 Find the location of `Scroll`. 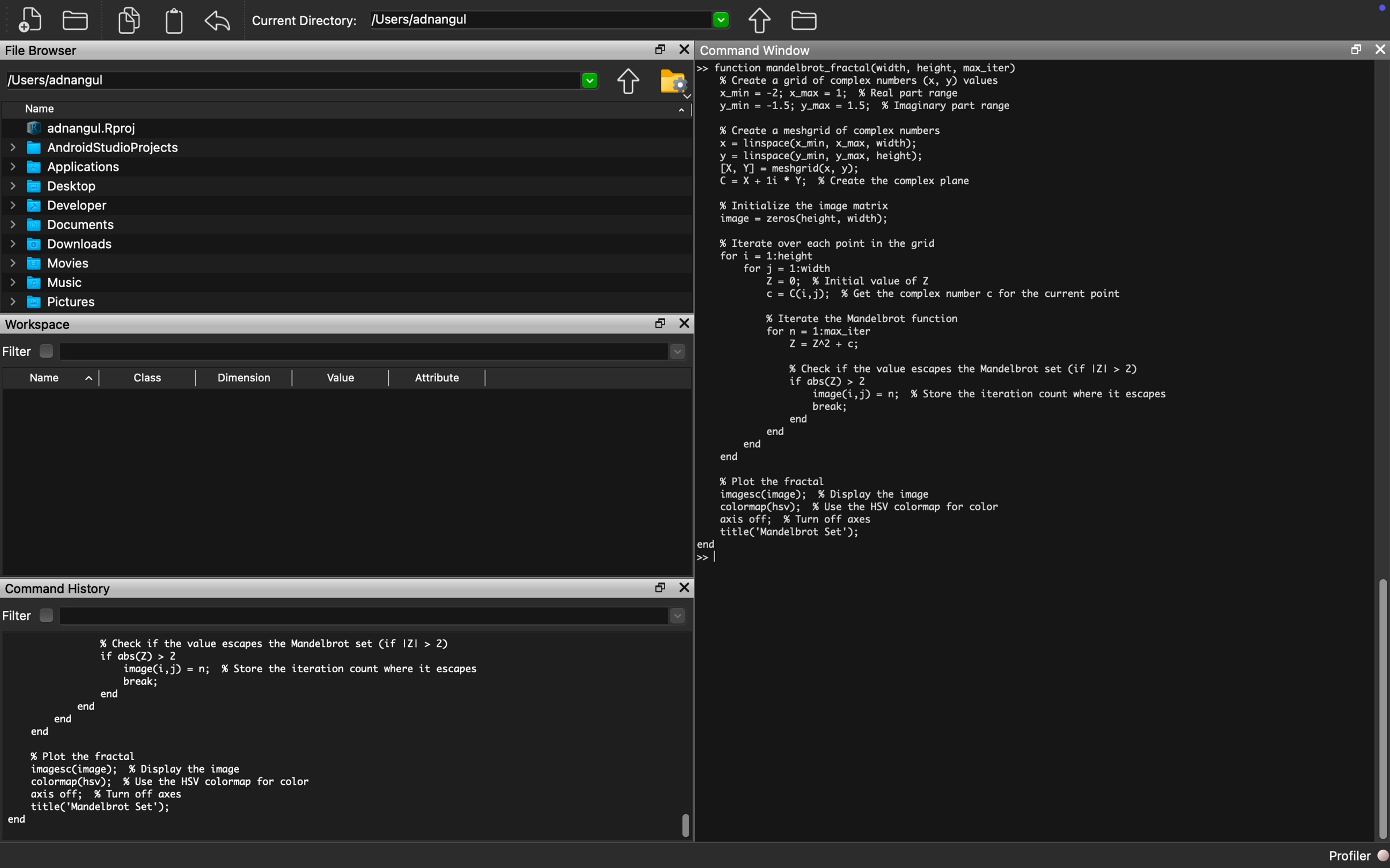

Scroll is located at coordinates (687, 826).